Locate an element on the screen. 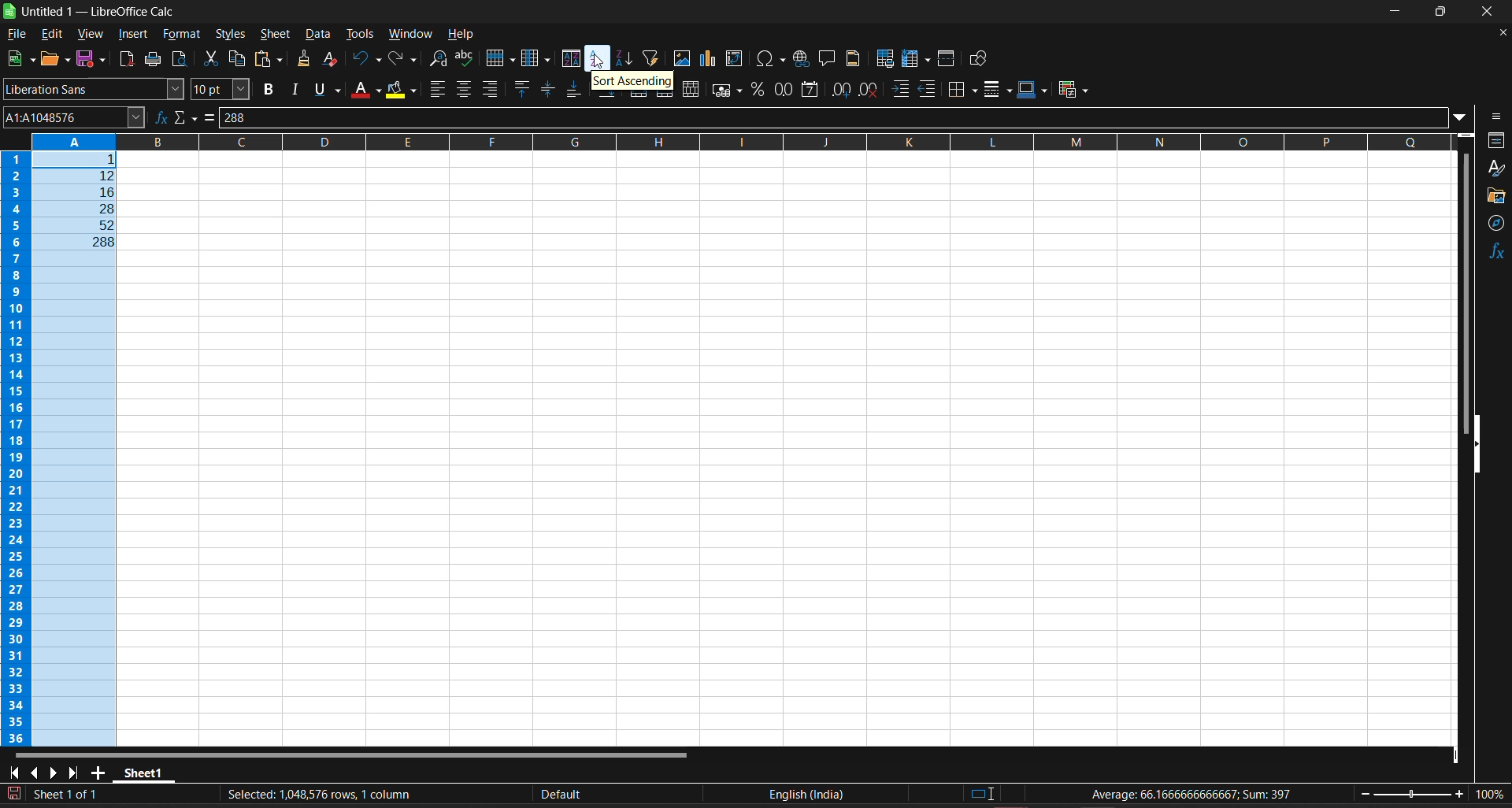  sort ascending is located at coordinates (598, 59).